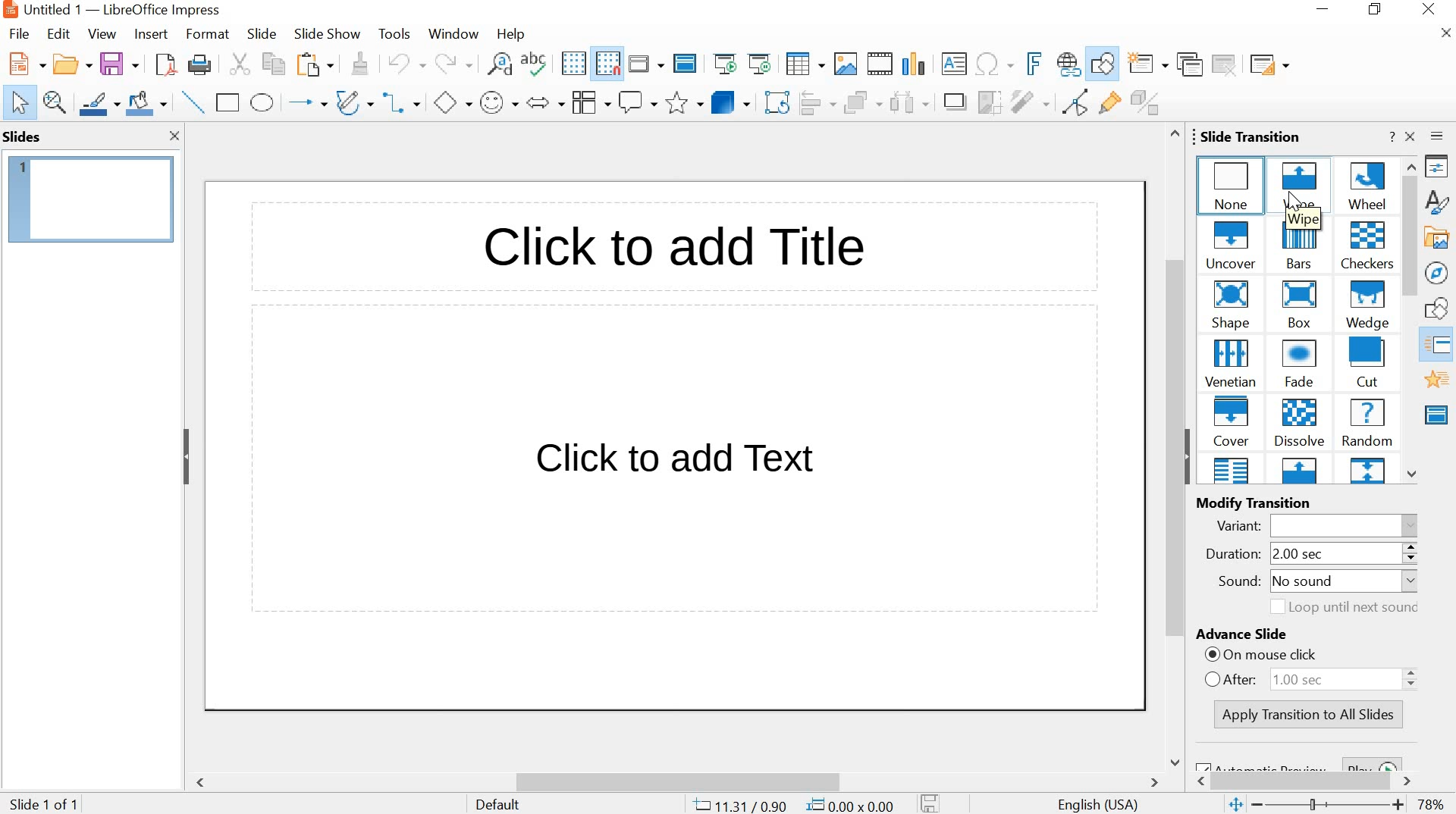 The image size is (1456, 814). I want to click on VENETIAN, so click(1230, 363).